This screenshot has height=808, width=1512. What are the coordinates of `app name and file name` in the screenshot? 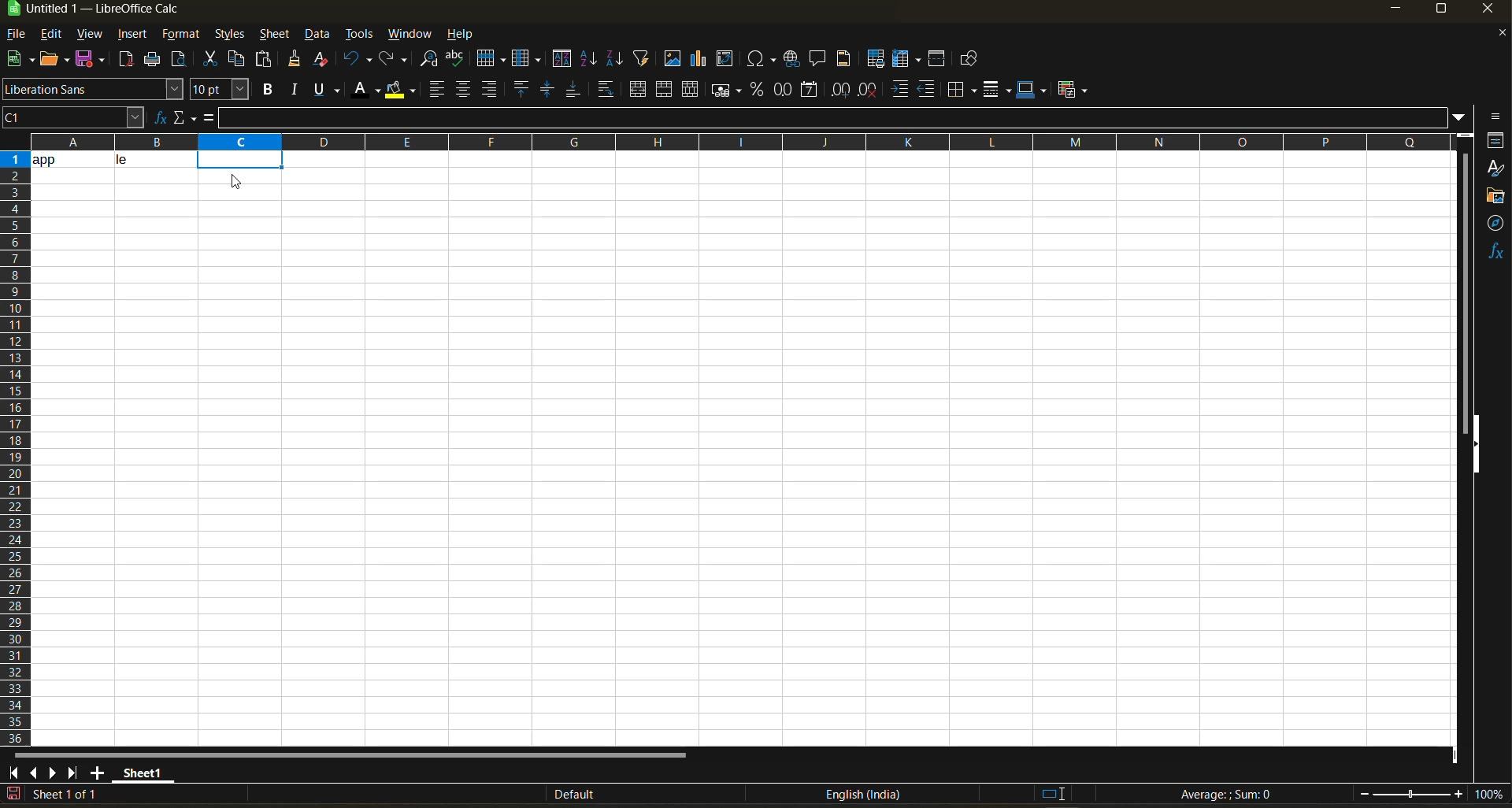 It's located at (109, 12).